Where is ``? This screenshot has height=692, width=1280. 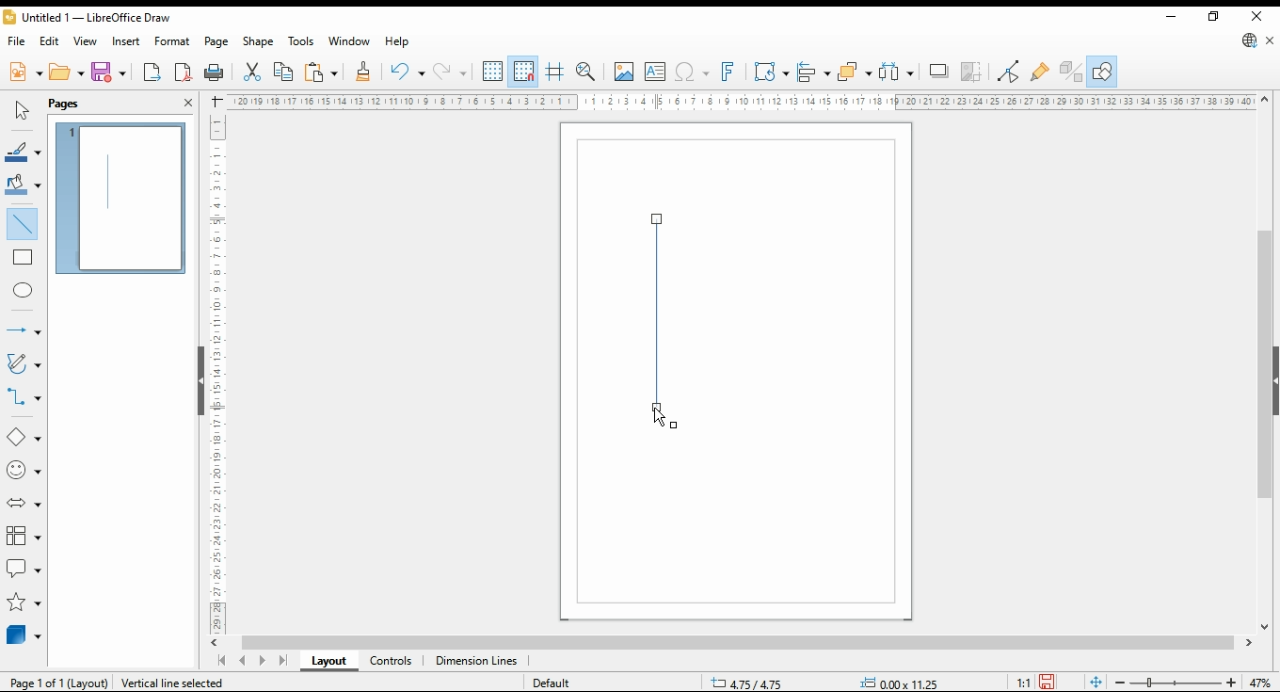  is located at coordinates (890, 680).